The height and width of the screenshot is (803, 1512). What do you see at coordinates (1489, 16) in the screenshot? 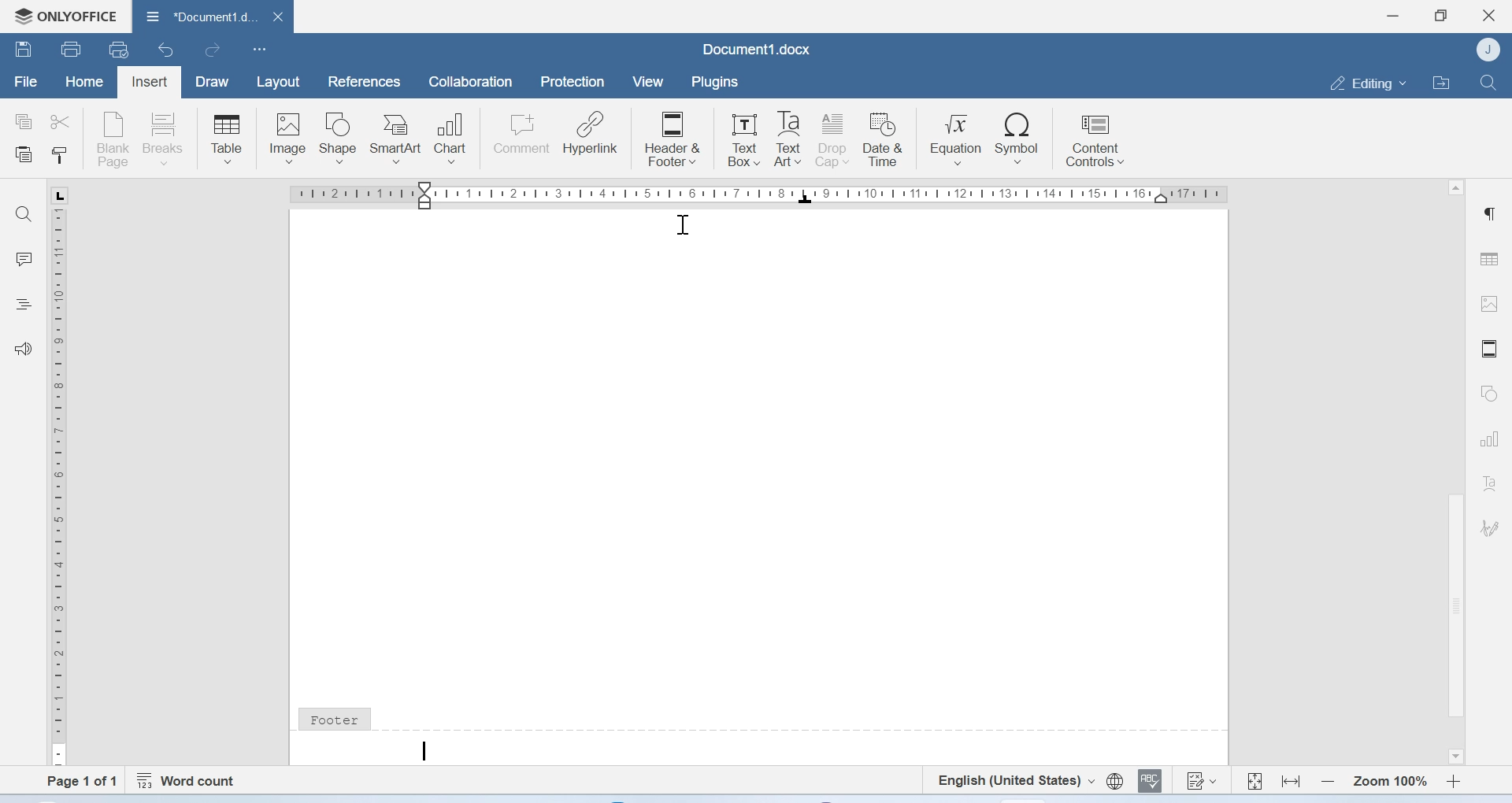
I see `Close` at bounding box center [1489, 16].